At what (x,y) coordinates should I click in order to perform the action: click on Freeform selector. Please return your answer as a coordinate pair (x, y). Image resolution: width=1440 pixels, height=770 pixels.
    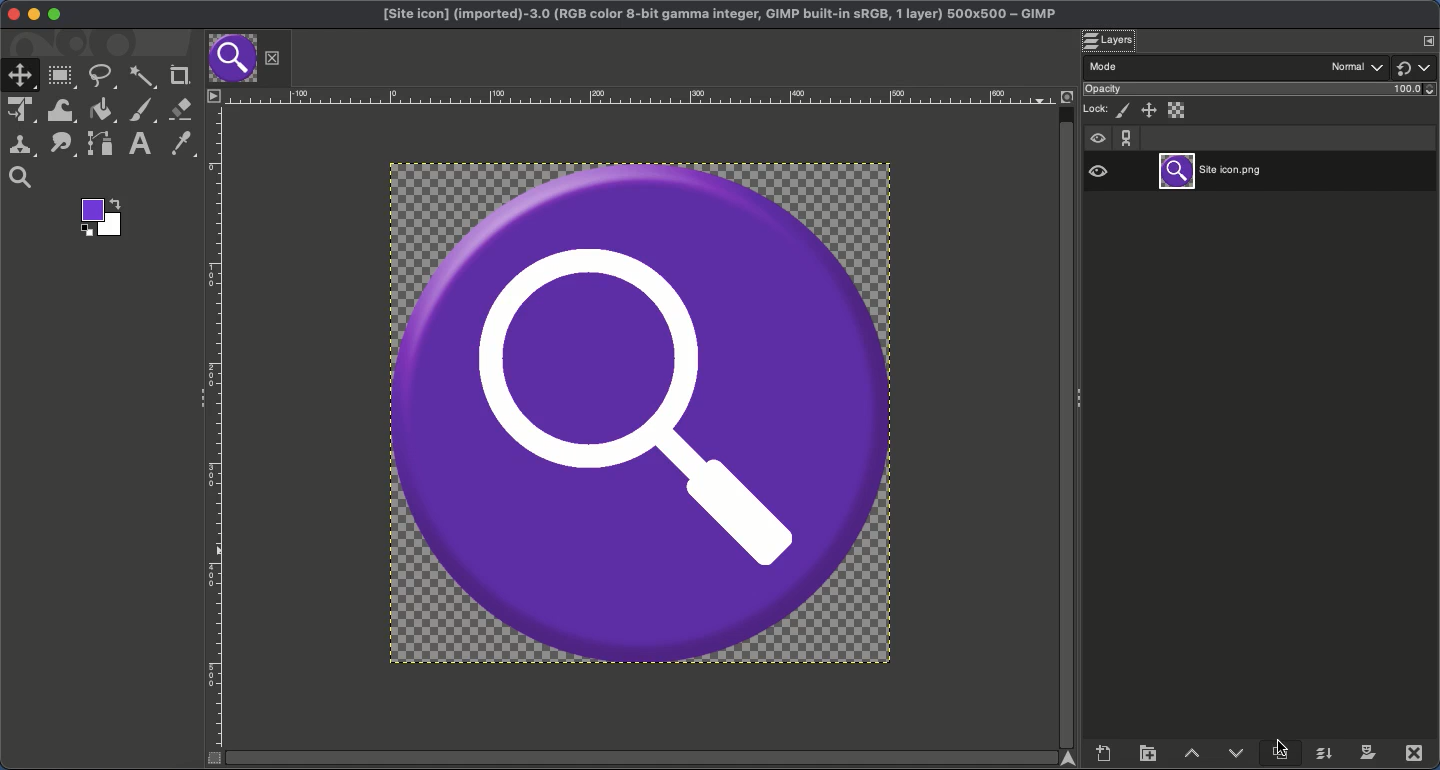
    Looking at the image, I should click on (103, 78).